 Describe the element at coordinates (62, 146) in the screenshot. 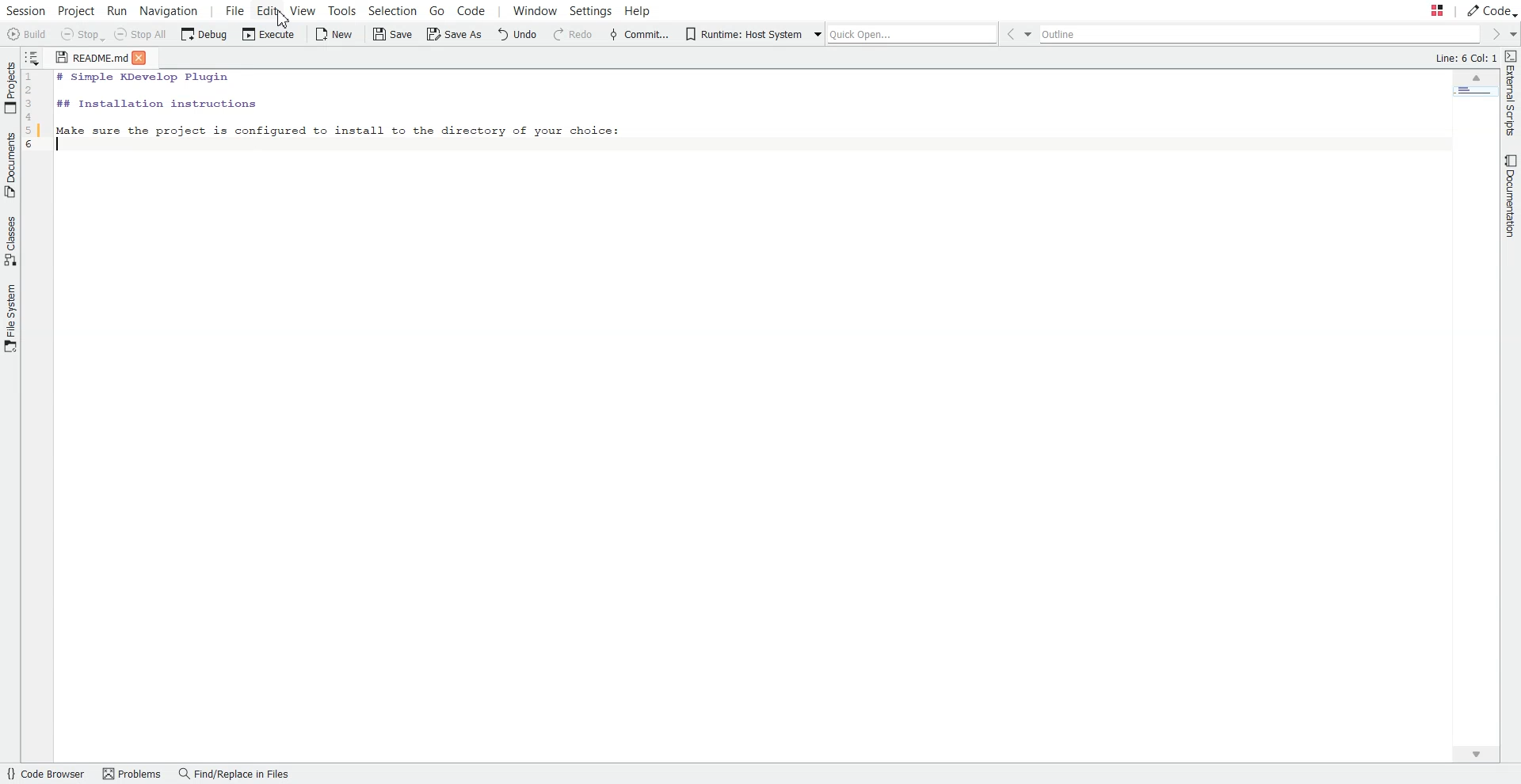

I see `Text Cursor` at that location.